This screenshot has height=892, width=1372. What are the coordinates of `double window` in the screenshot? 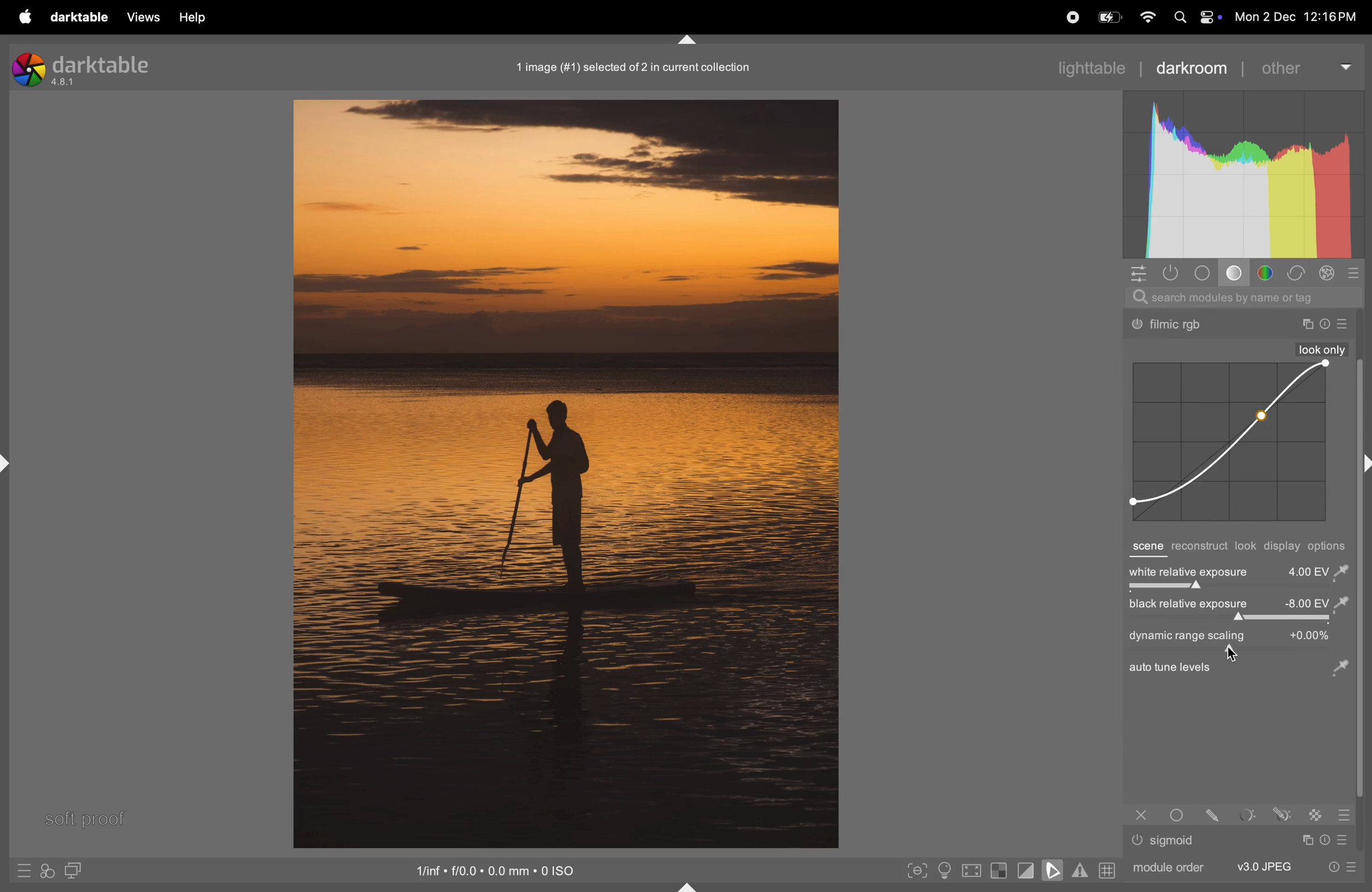 It's located at (71, 872).